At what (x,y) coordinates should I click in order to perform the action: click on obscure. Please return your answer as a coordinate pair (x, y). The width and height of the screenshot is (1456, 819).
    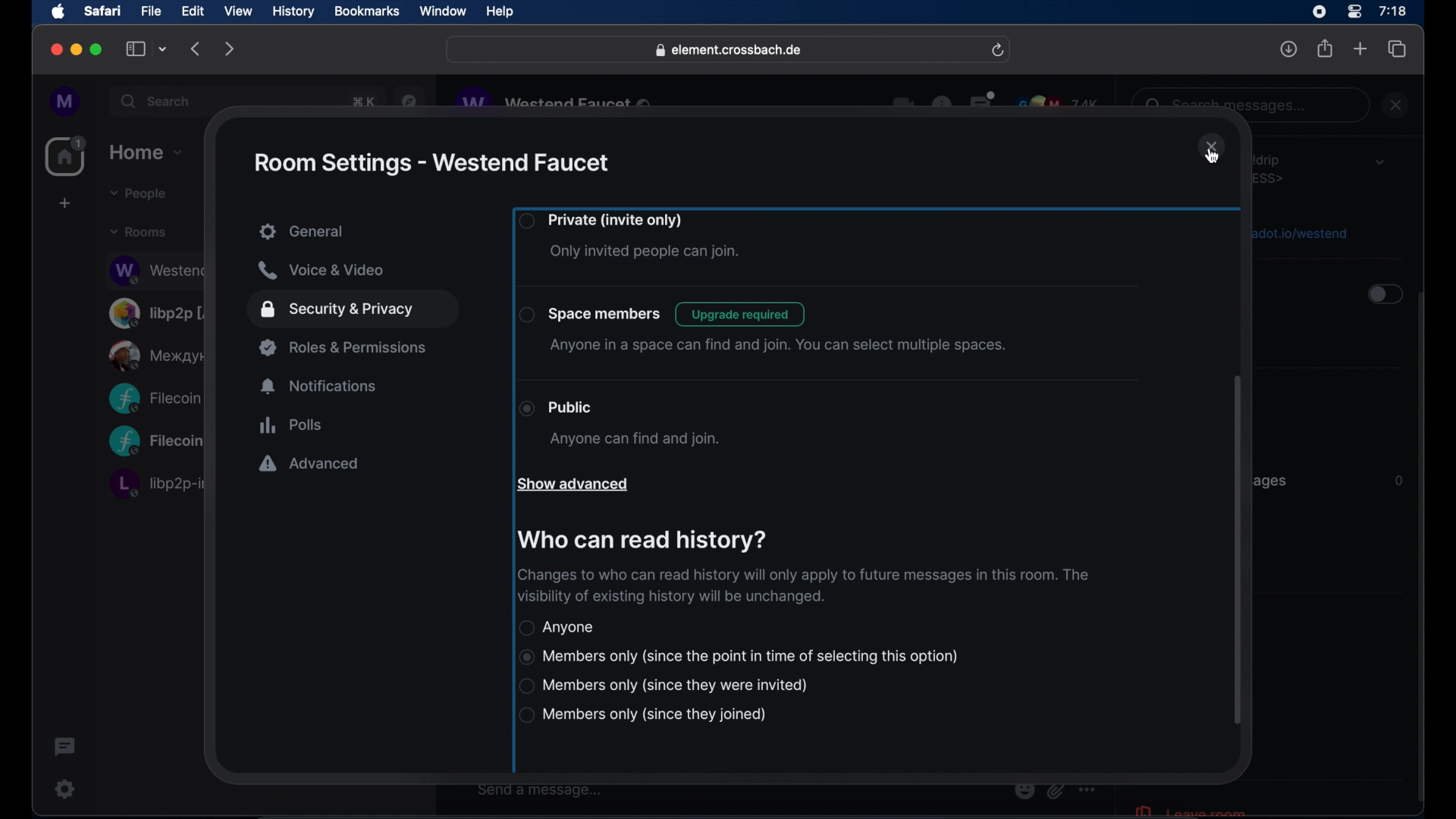
    Looking at the image, I should click on (158, 355).